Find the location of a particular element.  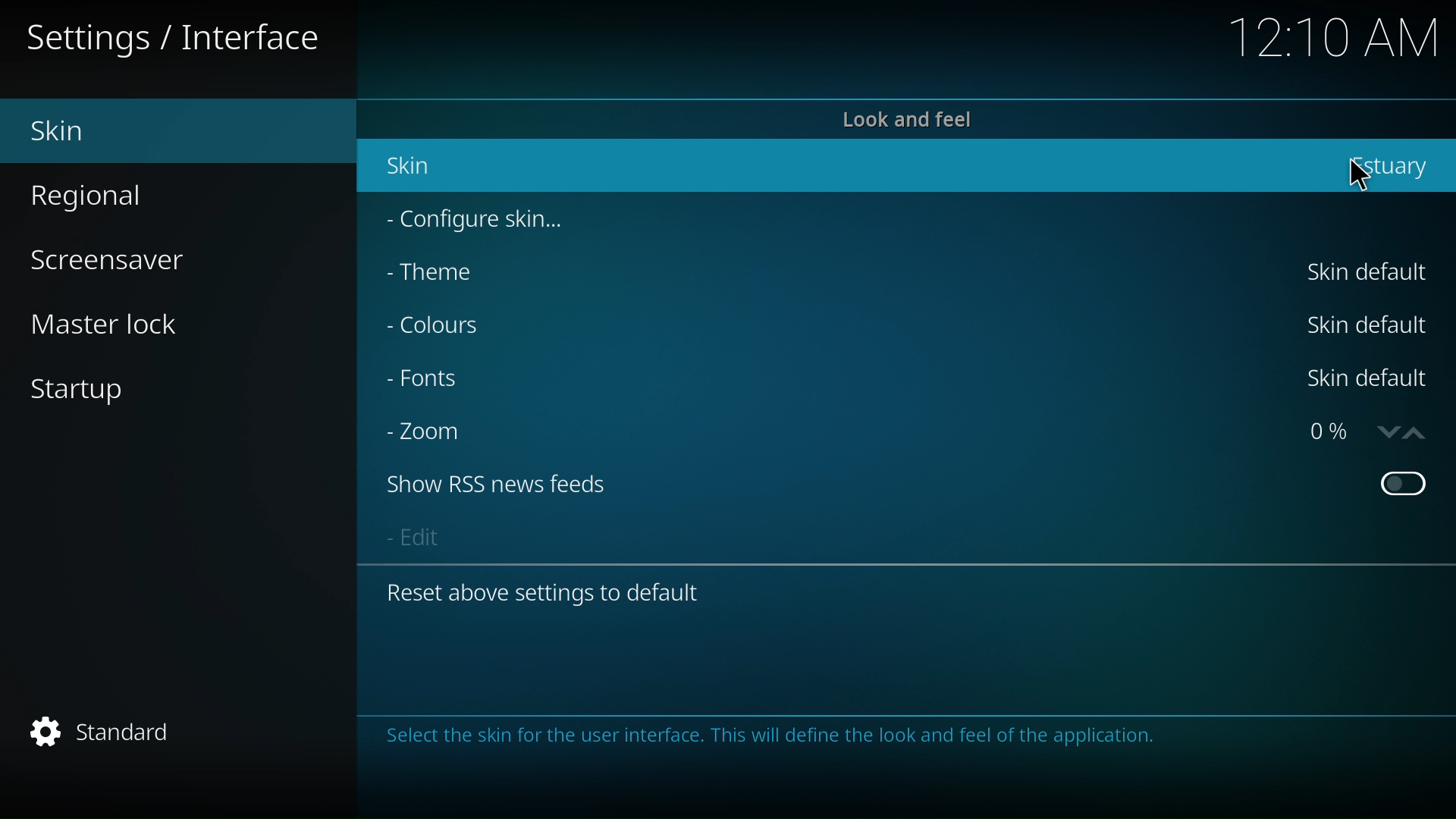

up/down is located at coordinates (1405, 434).